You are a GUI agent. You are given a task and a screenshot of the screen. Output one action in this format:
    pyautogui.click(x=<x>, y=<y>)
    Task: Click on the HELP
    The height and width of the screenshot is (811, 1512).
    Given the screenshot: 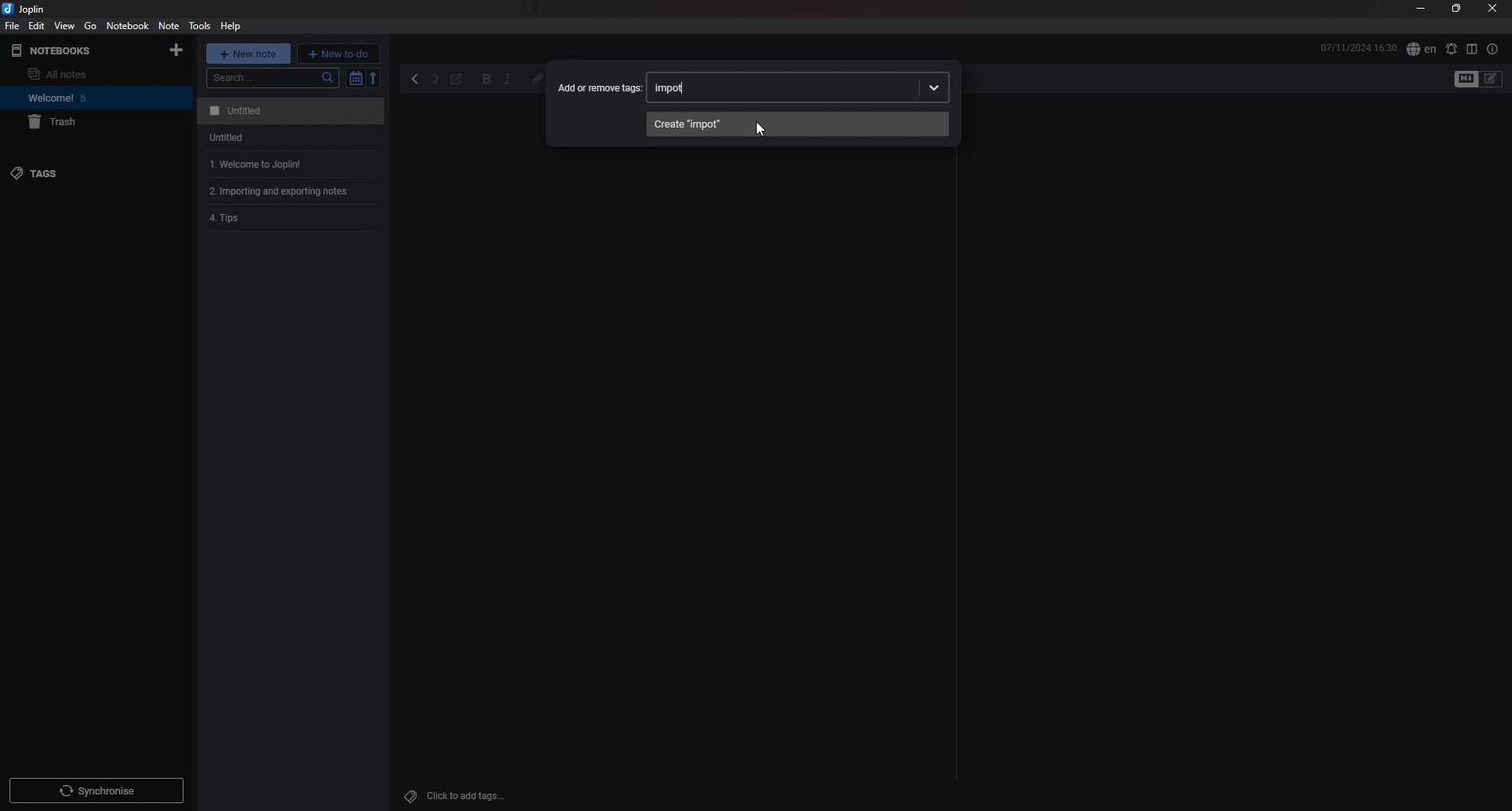 What is the action you would take?
    pyautogui.click(x=231, y=26)
    